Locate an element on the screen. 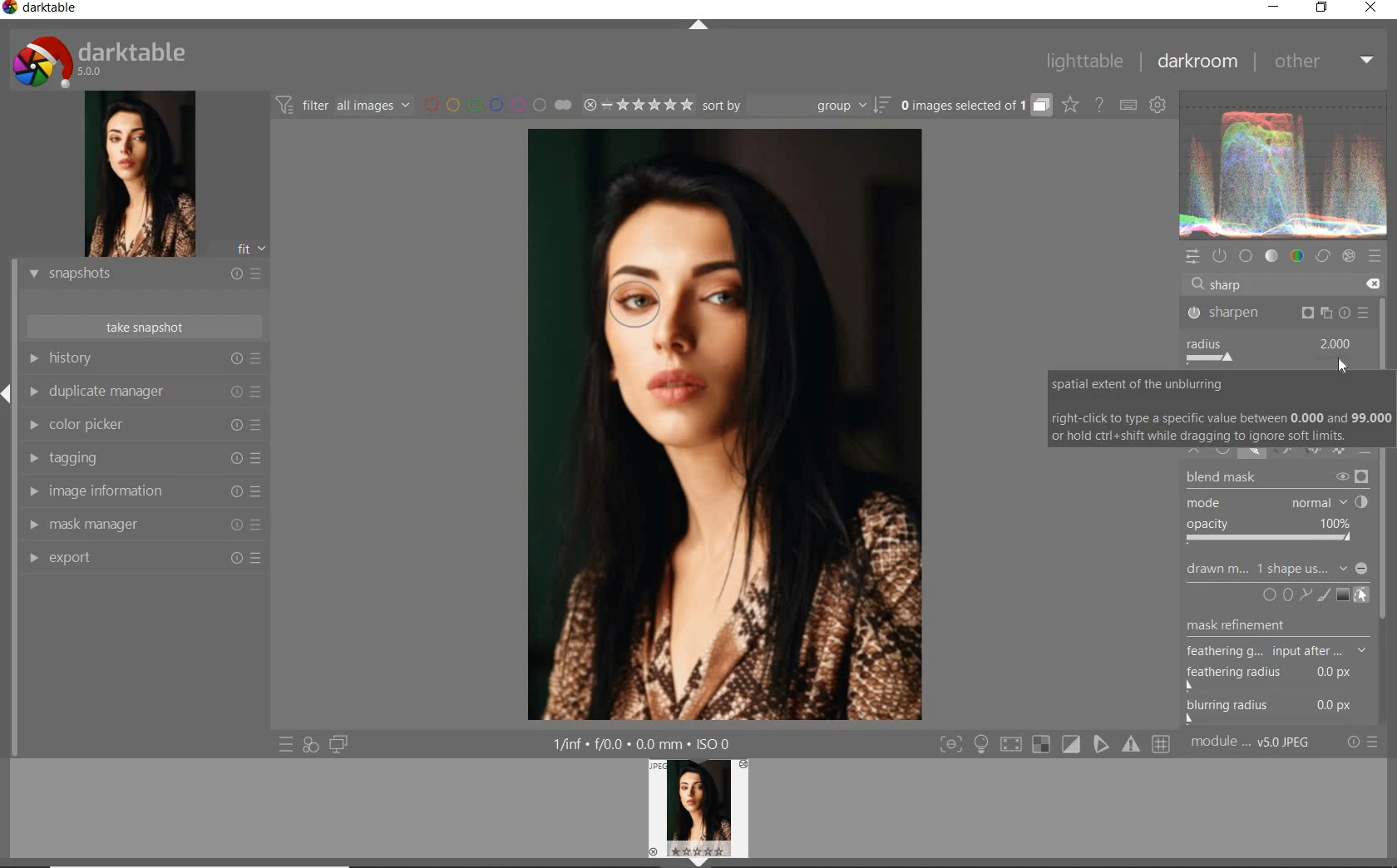 The width and height of the screenshot is (1397, 868). reset or presets and preferences is located at coordinates (1363, 742).